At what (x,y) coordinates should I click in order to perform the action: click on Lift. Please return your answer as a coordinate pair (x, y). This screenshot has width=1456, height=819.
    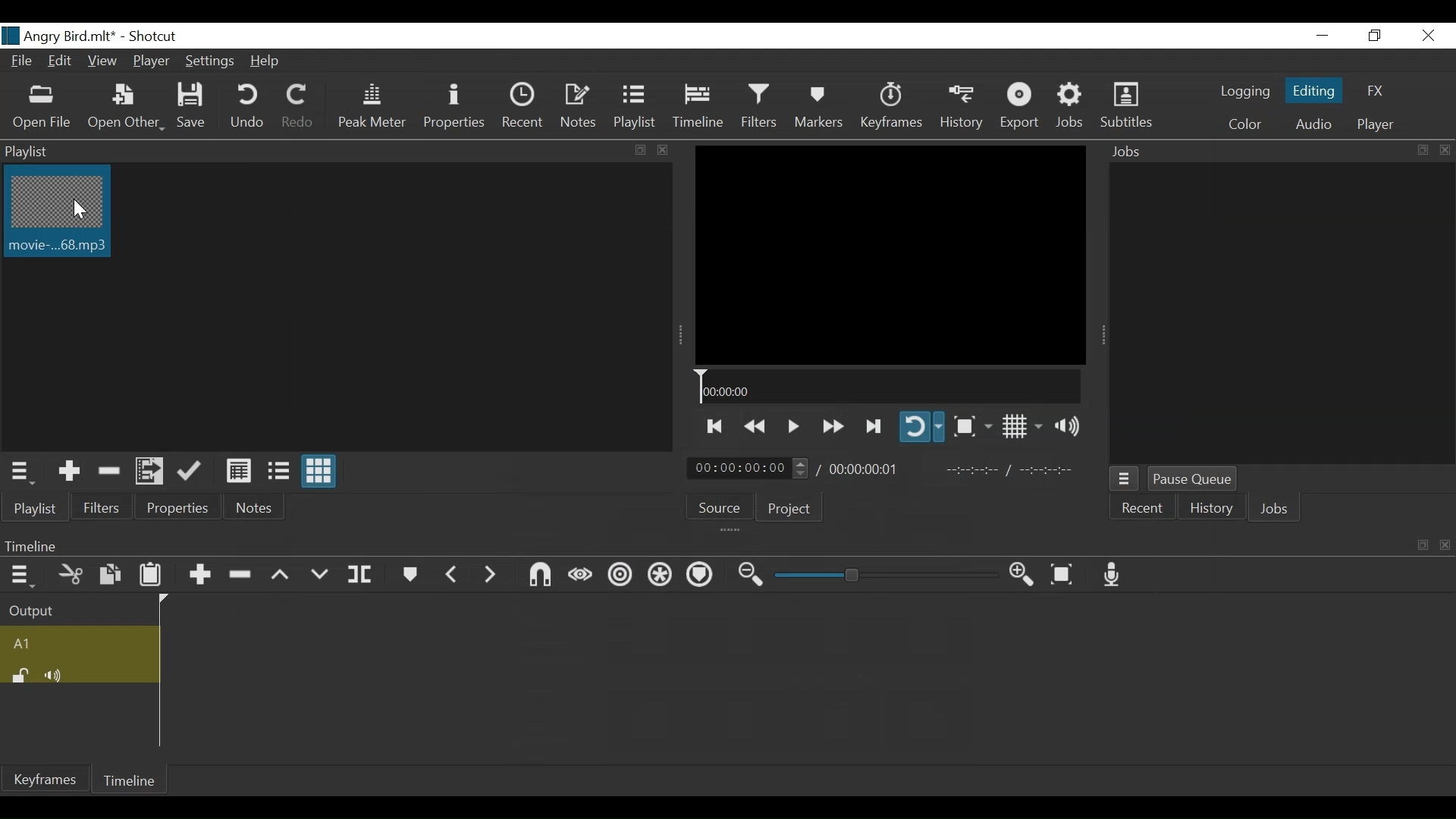
    Looking at the image, I should click on (281, 575).